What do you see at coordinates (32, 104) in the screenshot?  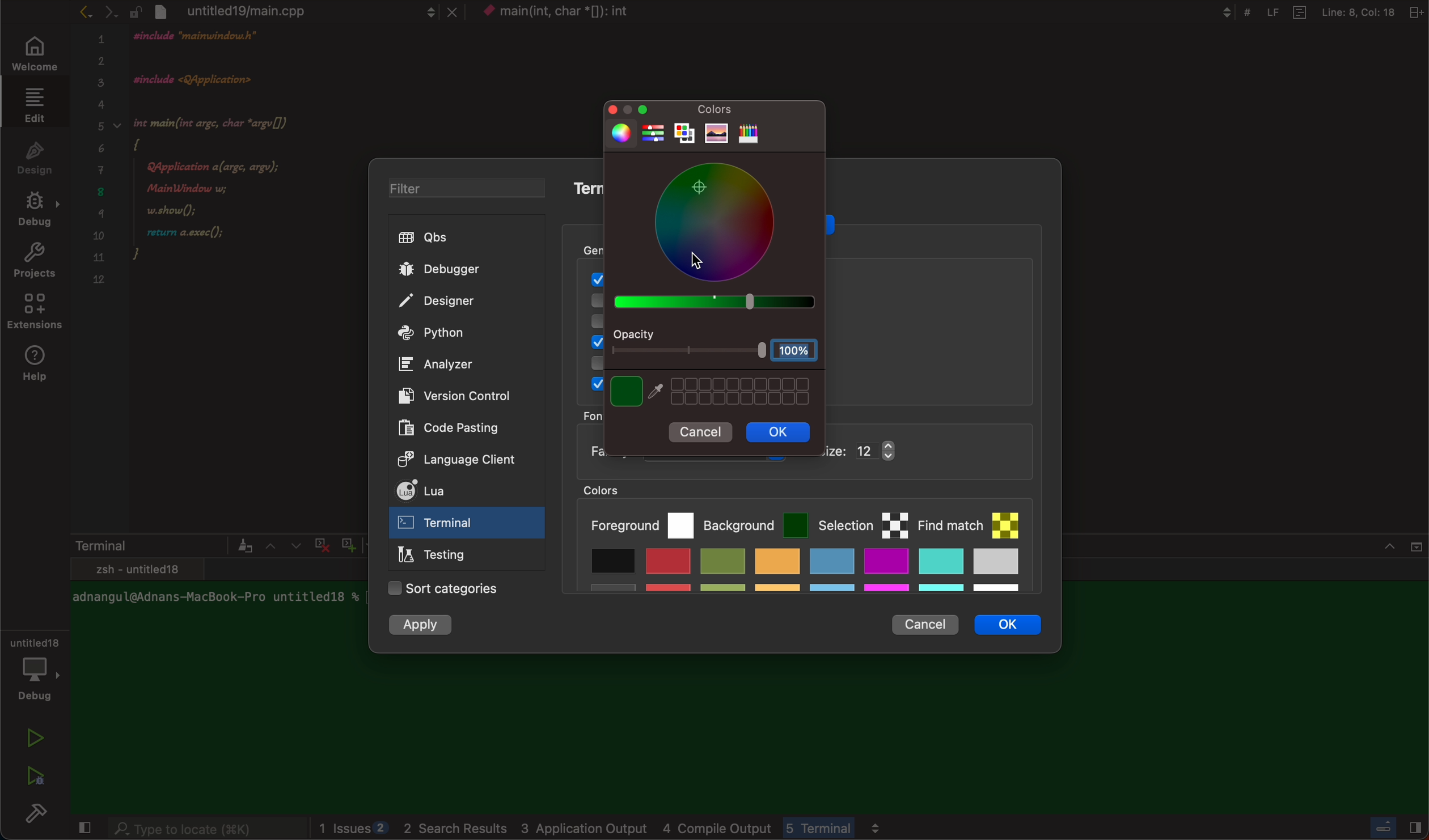 I see `edit` at bounding box center [32, 104].